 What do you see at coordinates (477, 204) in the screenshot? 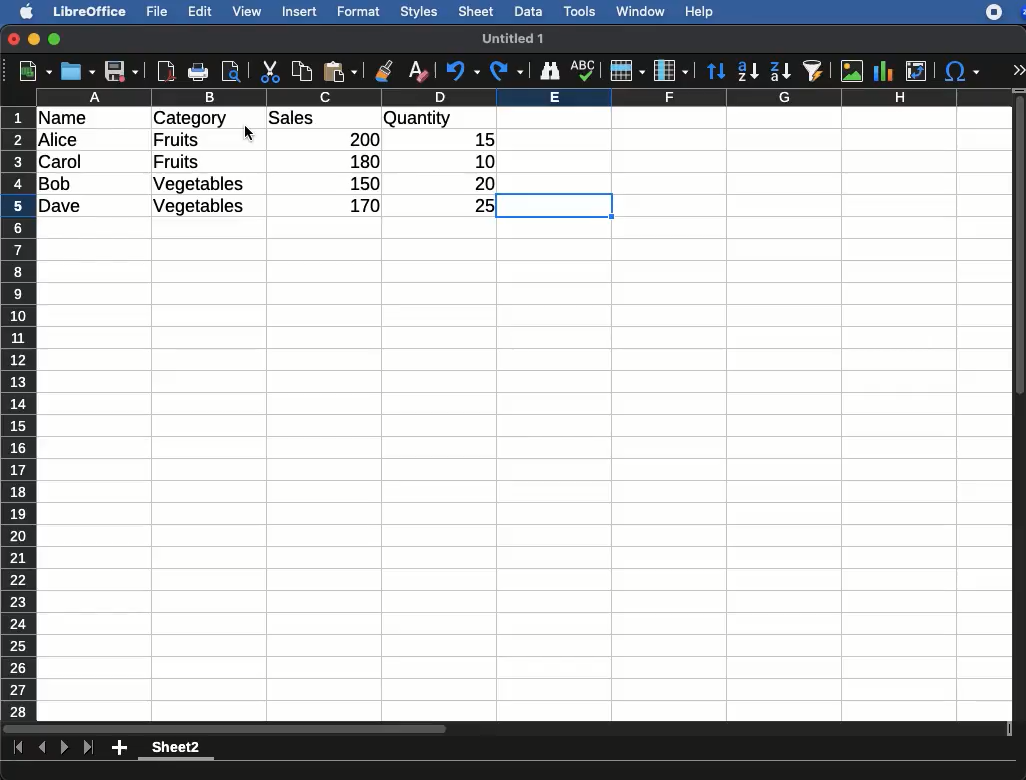
I see `25` at bounding box center [477, 204].